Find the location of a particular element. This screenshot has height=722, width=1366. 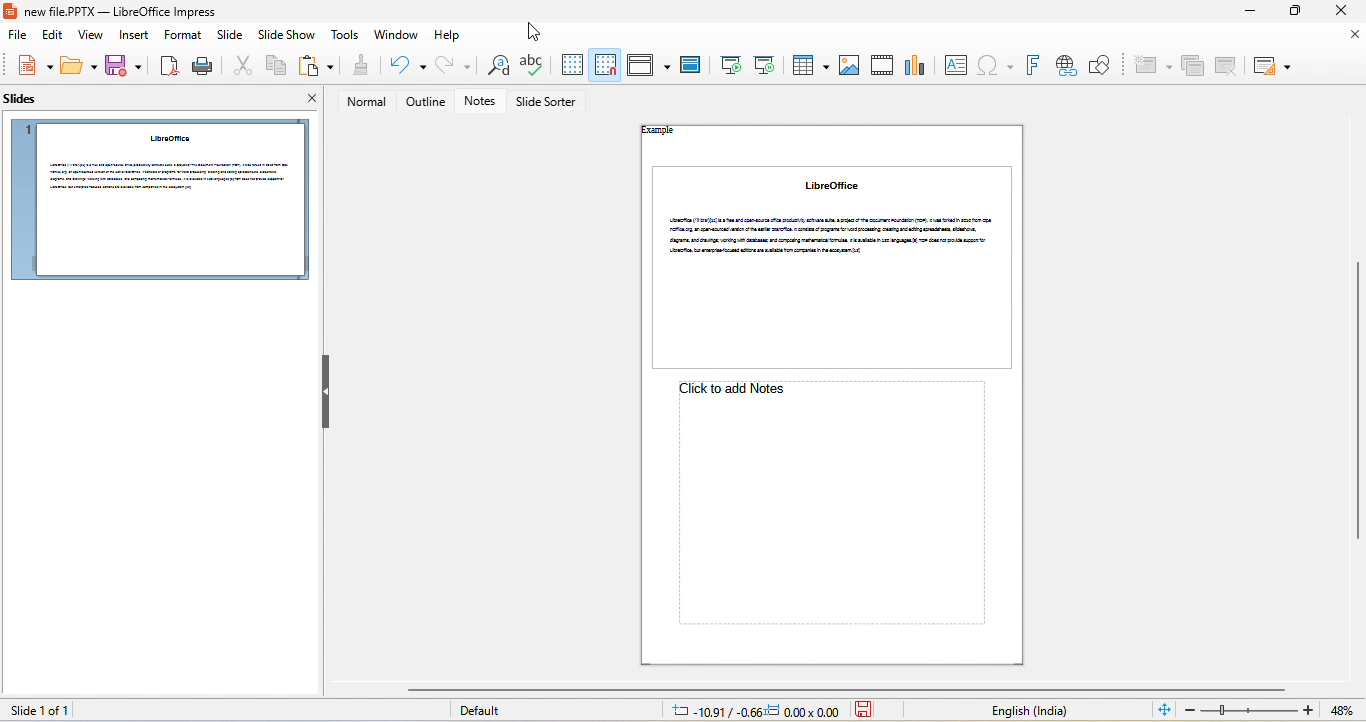

clone formatting is located at coordinates (359, 66).